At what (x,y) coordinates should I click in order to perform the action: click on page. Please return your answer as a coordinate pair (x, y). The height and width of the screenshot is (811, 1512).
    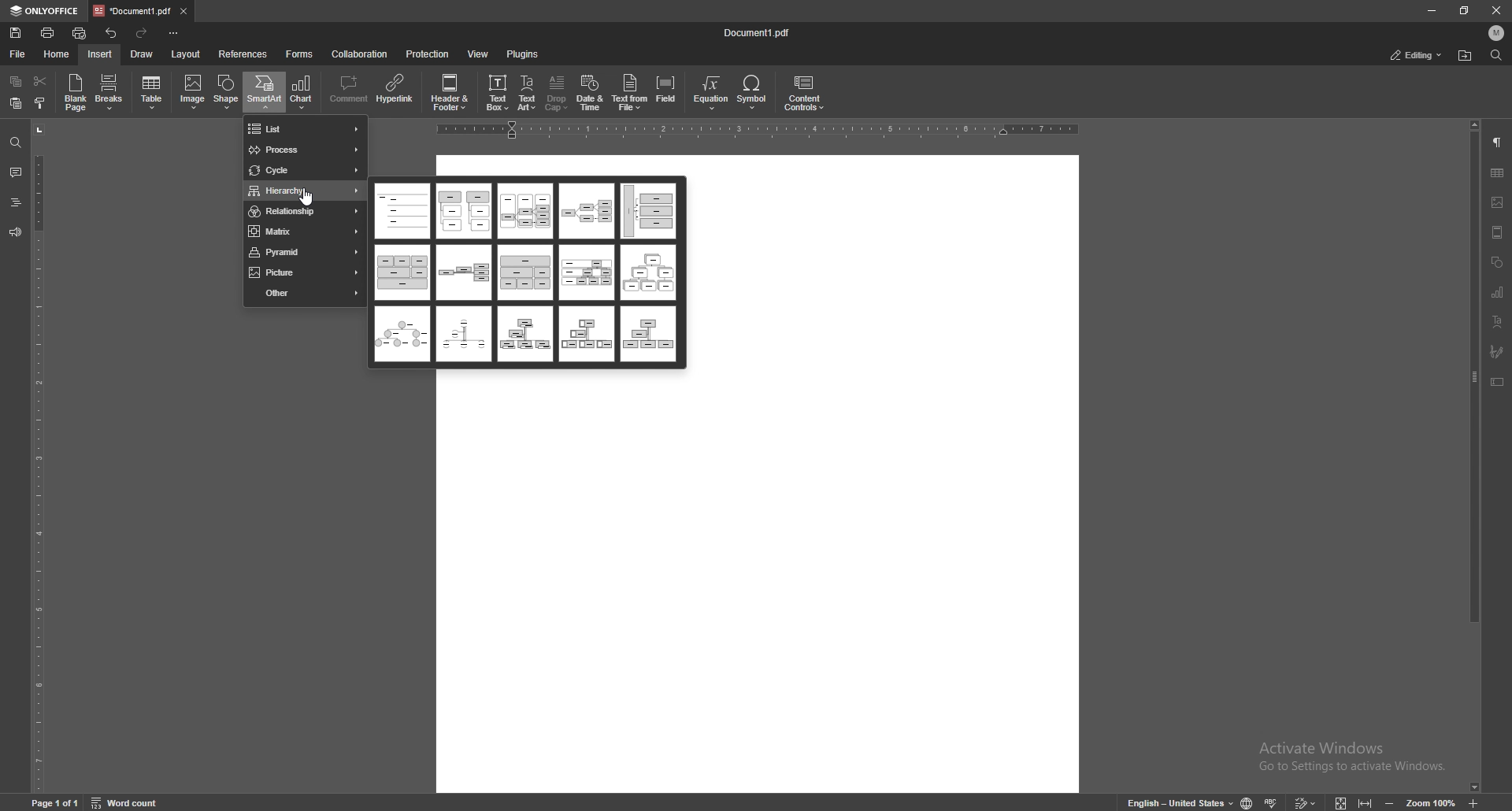
    Looking at the image, I should click on (57, 802).